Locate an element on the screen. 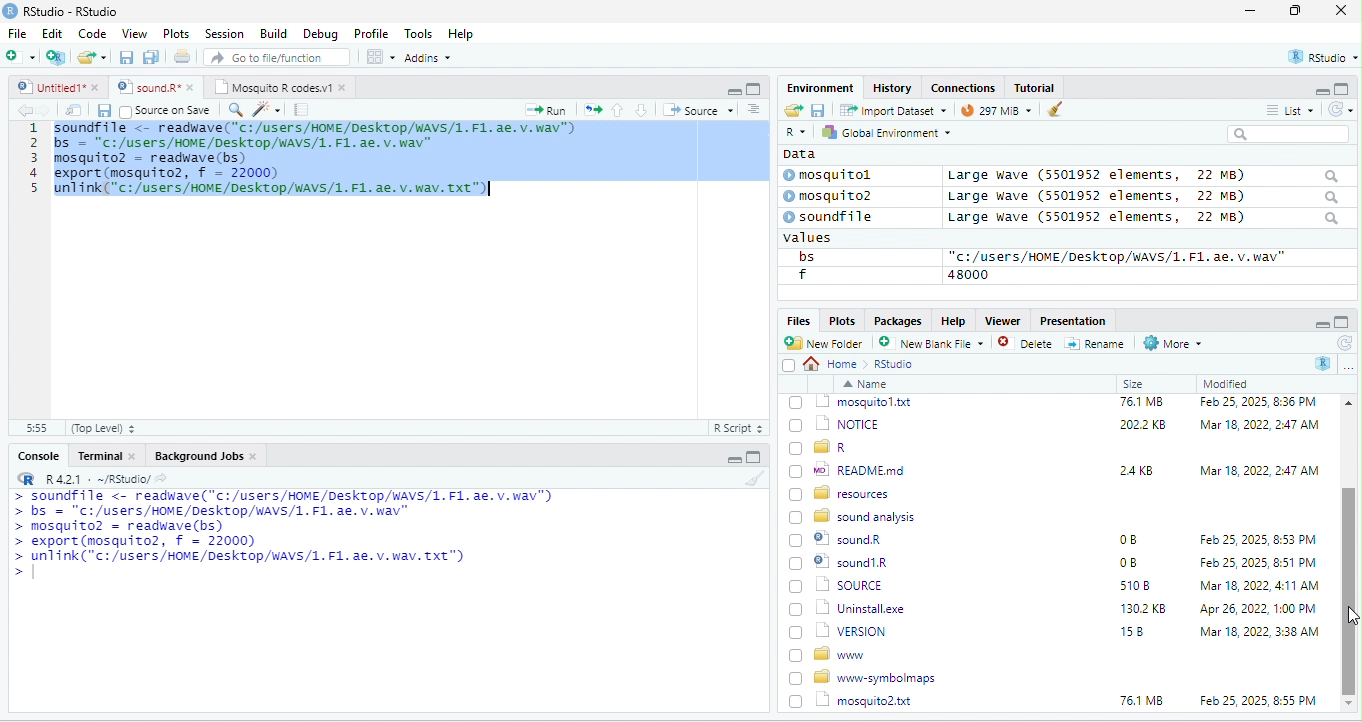 This screenshot has width=1362, height=722. 1 mosquitol.txt is located at coordinates (844, 519).